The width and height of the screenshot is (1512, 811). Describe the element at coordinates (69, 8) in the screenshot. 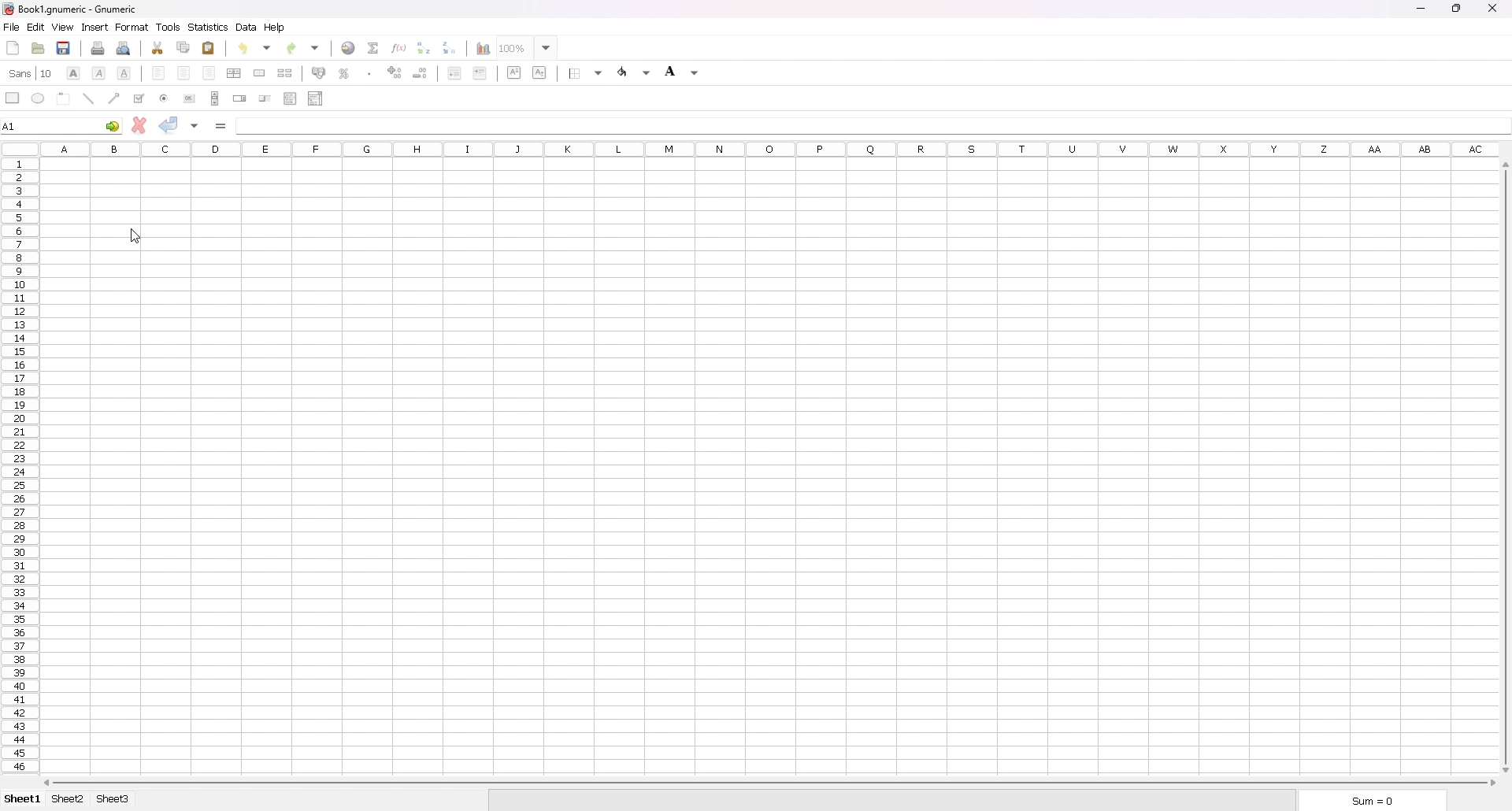

I see `file name` at that location.